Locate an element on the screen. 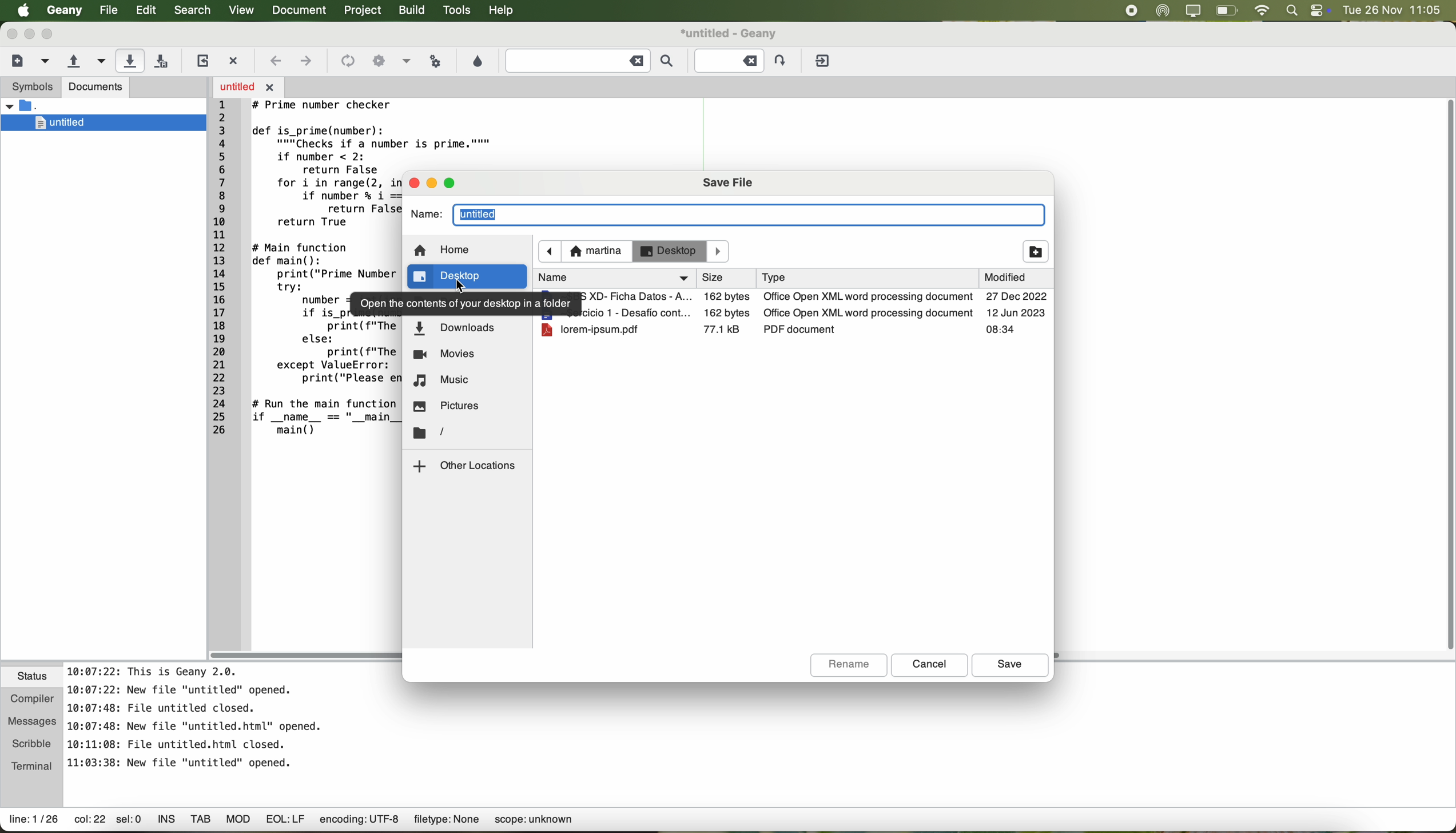  note is located at coordinates (467, 305).